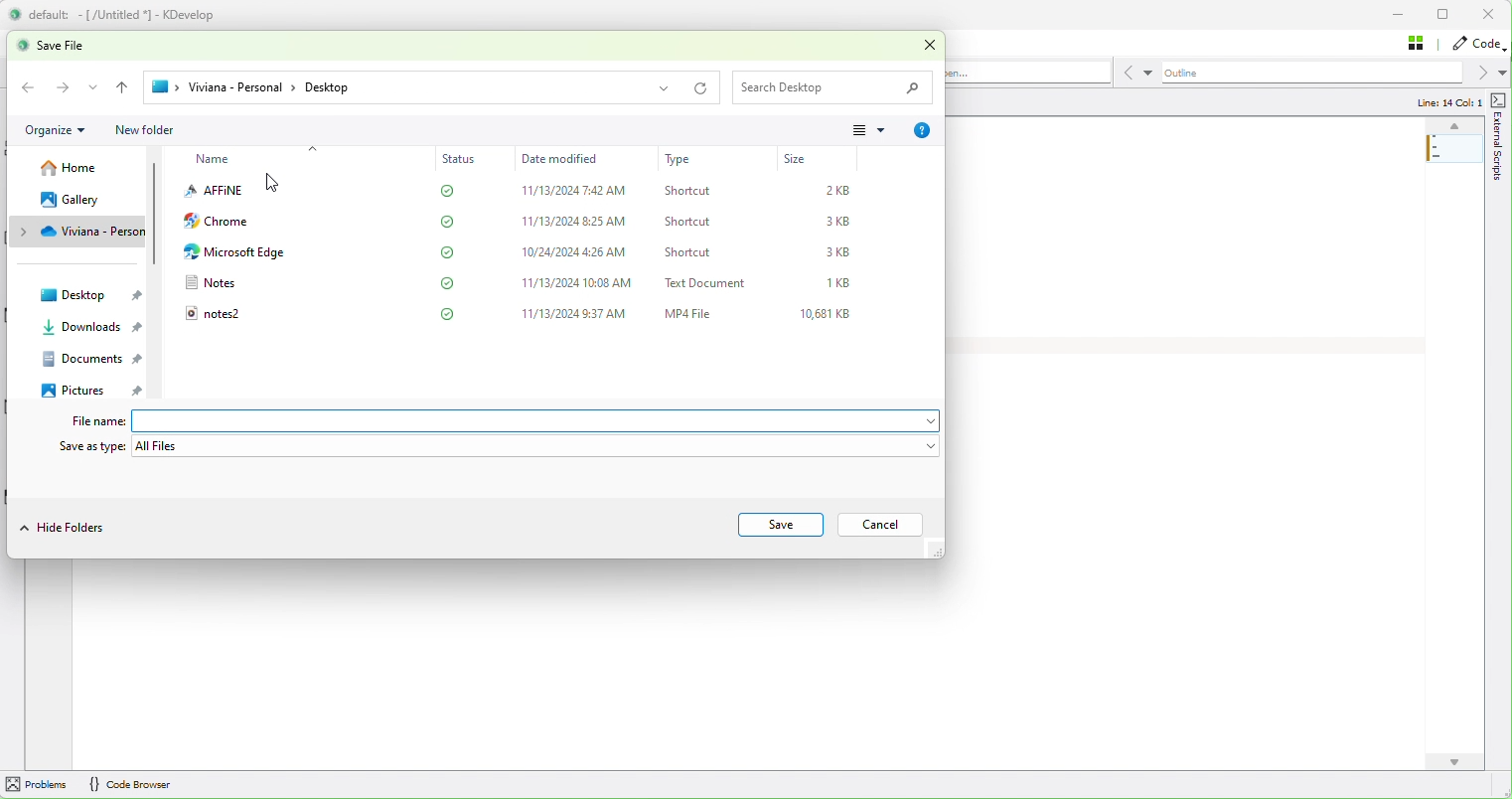 This screenshot has height=799, width=1512. I want to click on Type, so click(679, 160).